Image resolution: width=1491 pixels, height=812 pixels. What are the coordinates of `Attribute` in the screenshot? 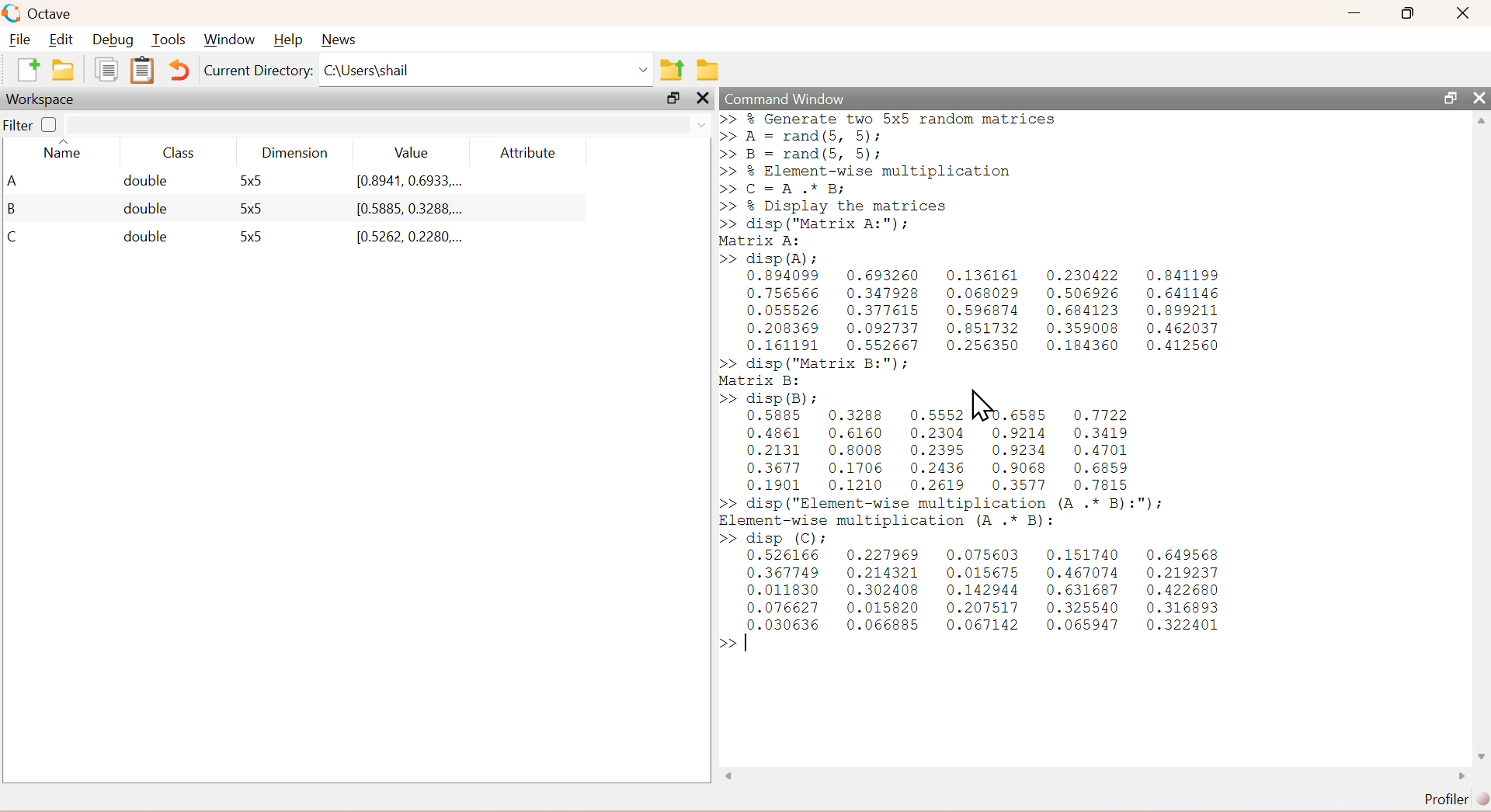 It's located at (527, 148).